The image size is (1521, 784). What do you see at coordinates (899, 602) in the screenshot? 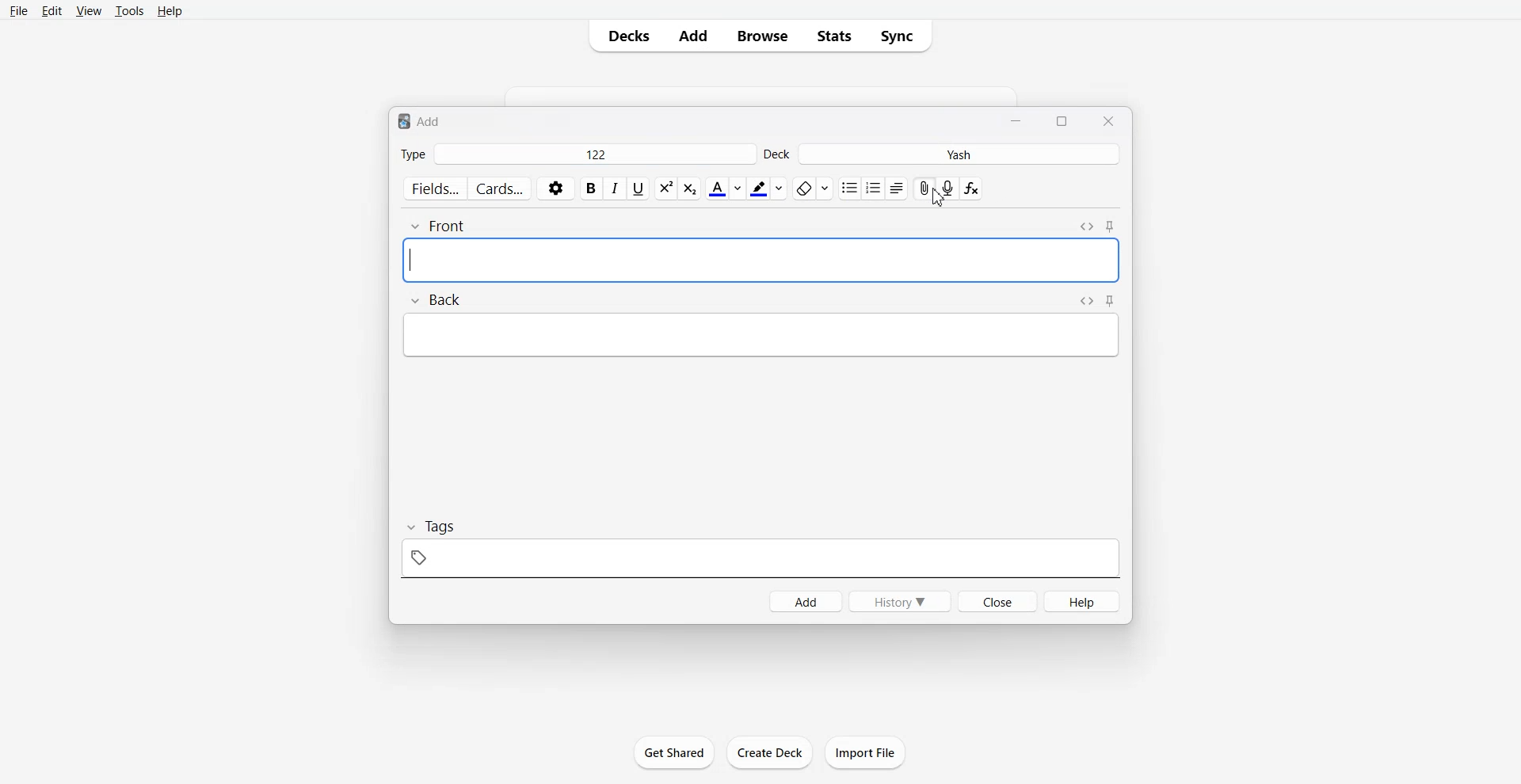
I see `History` at bounding box center [899, 602].